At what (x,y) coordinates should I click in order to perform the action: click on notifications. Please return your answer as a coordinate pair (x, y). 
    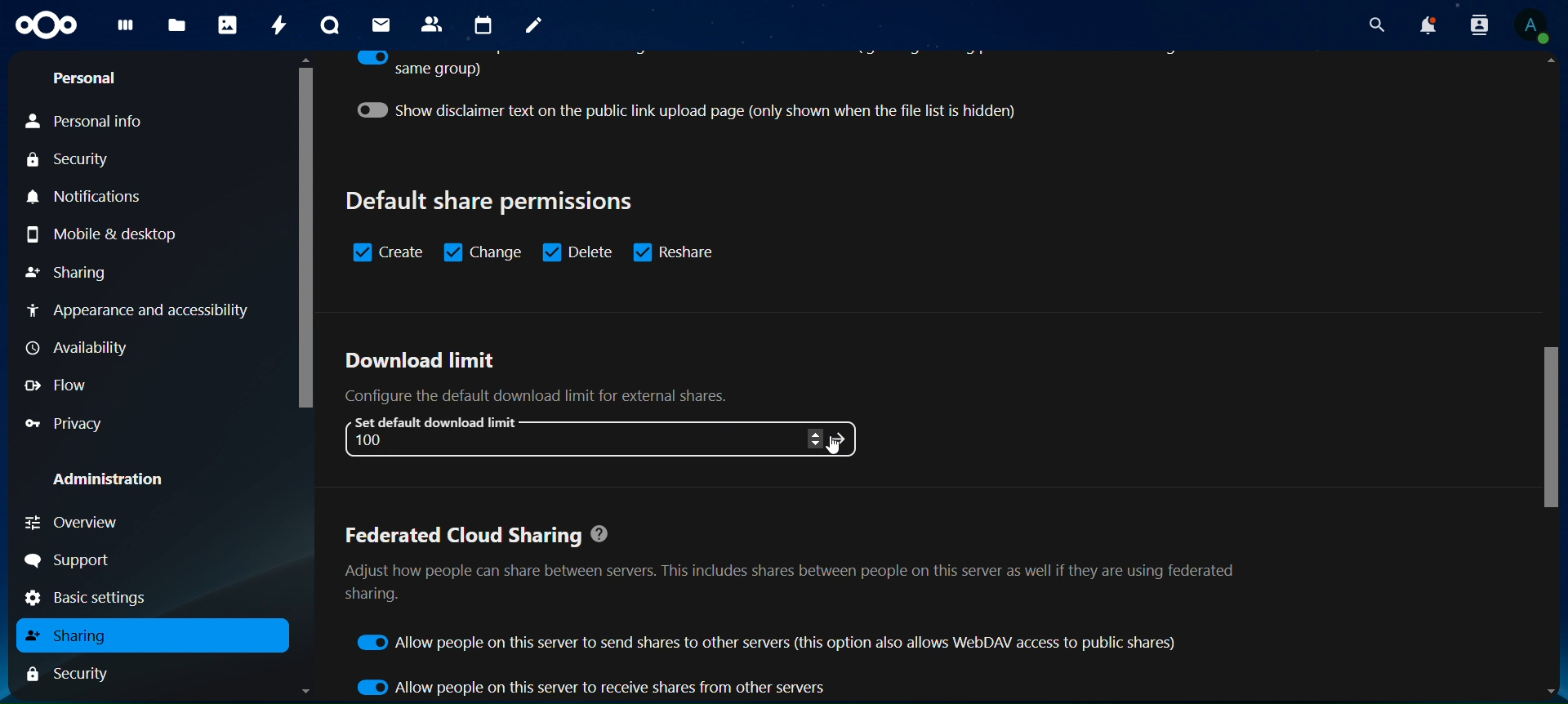
    Looking at the image, I should click on (1427, 25).